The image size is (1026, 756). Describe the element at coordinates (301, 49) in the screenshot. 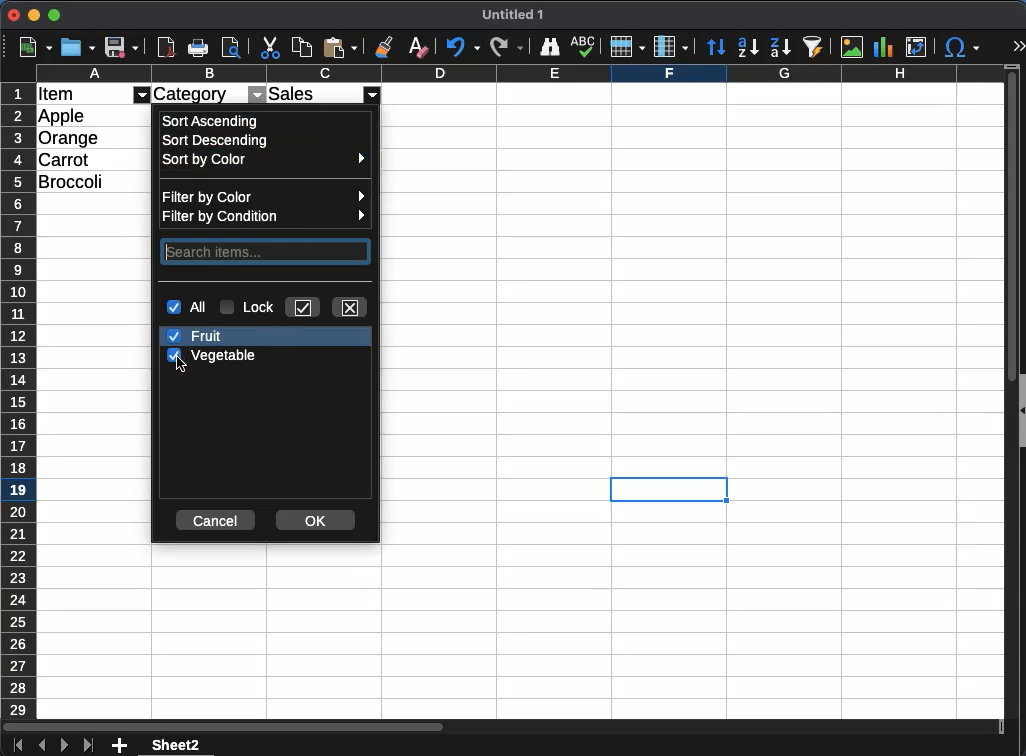

I see `copy` at that location.